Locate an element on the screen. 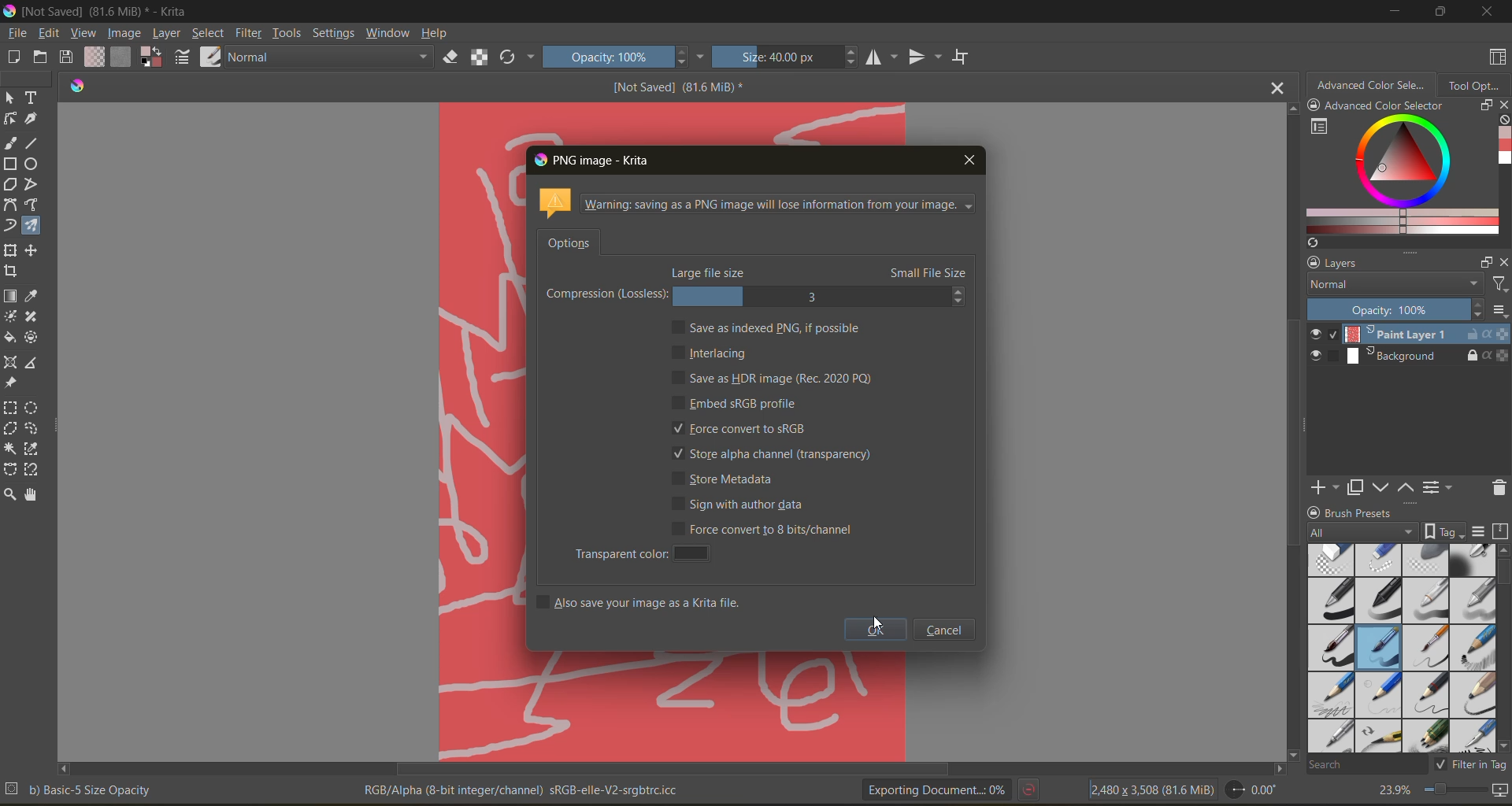  view/change layer is located at coordinates (1442, 486).